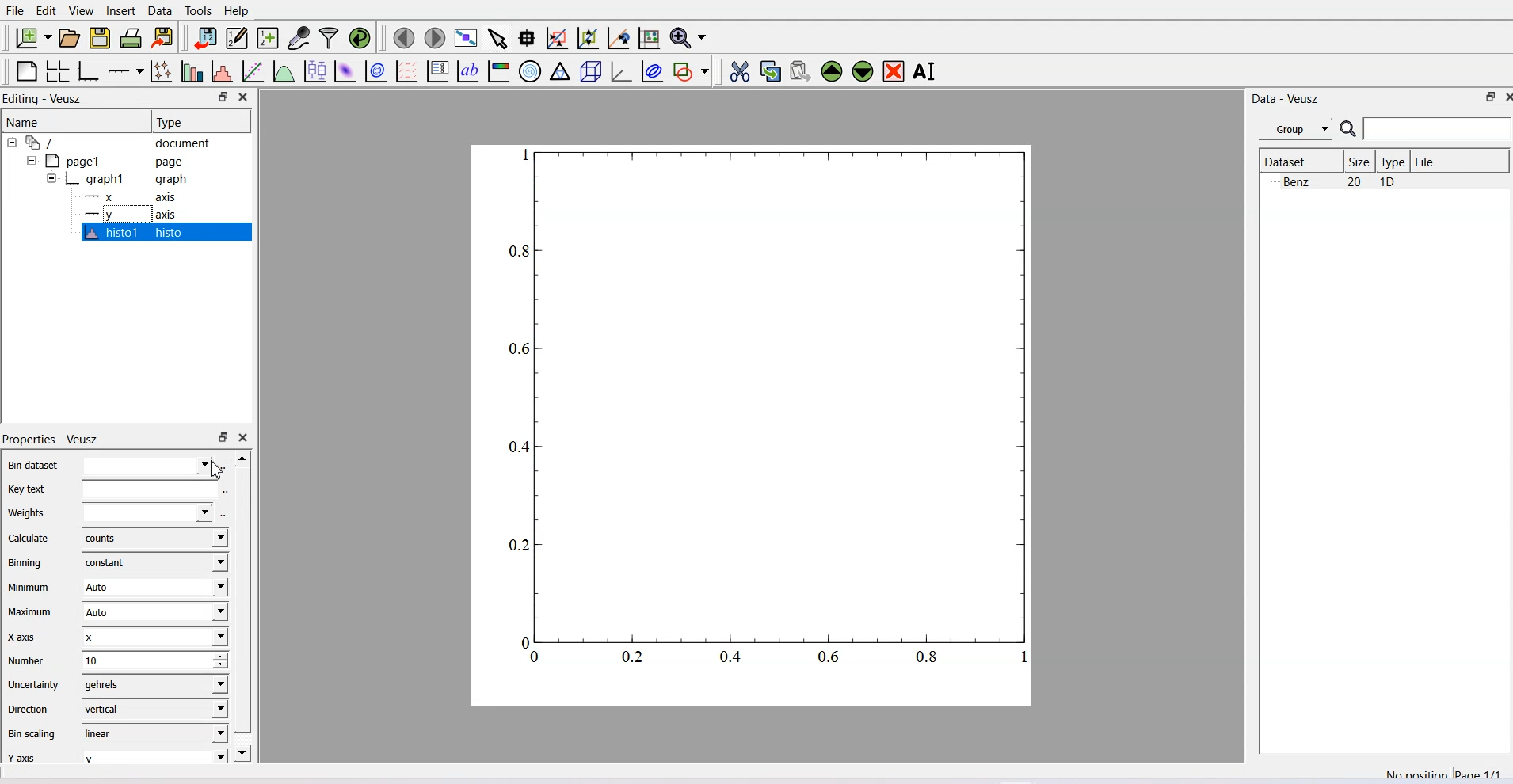  What do you see at coordinates (1493, 97) in the screenshot?
I see `Close` at bounding box center [1493, 97].